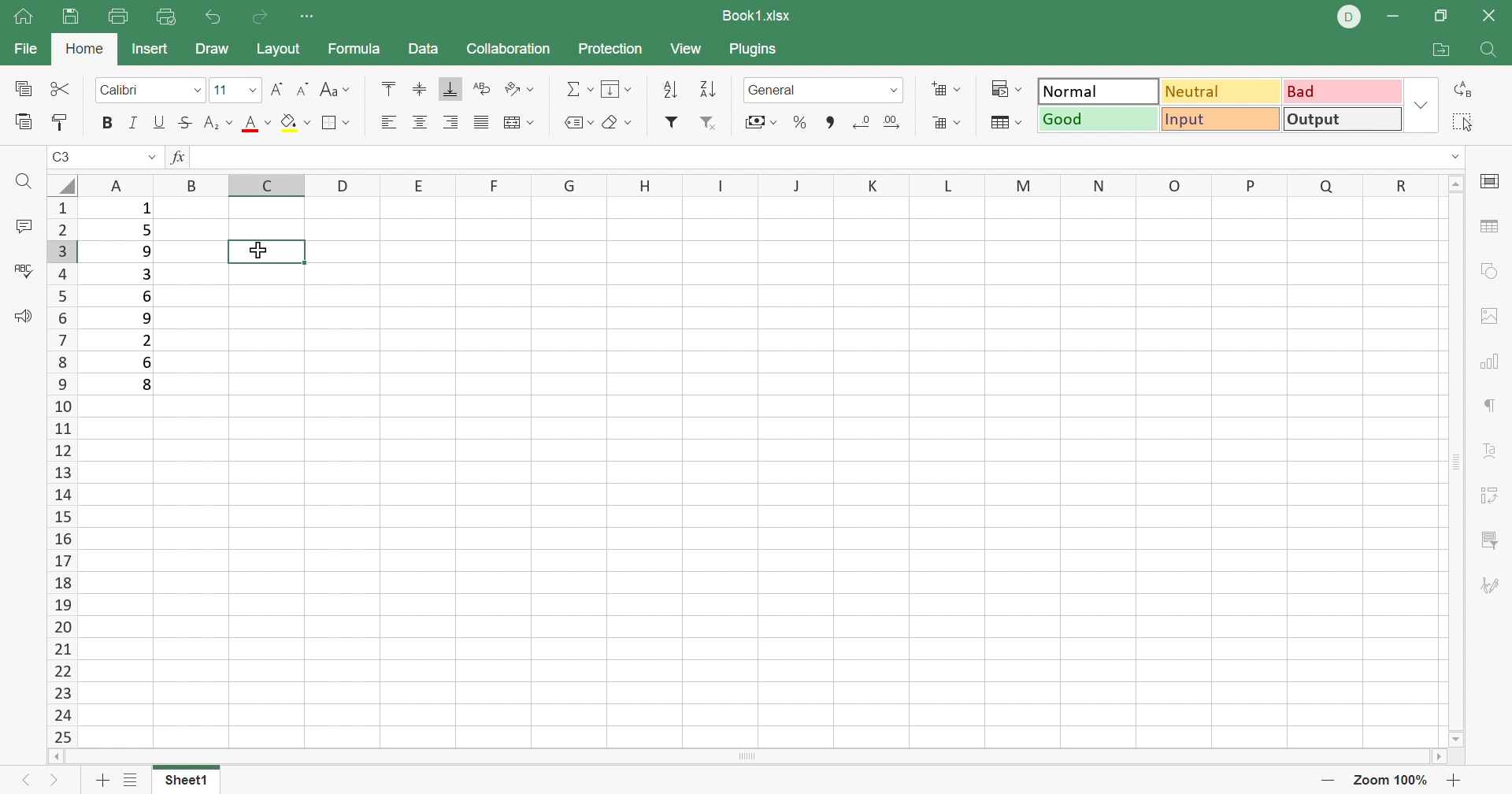 The width and height of the screenshot is (1512, 794). Describe the element at coordinates (139, 121) in the screenshot. I see `Italic` at that location.